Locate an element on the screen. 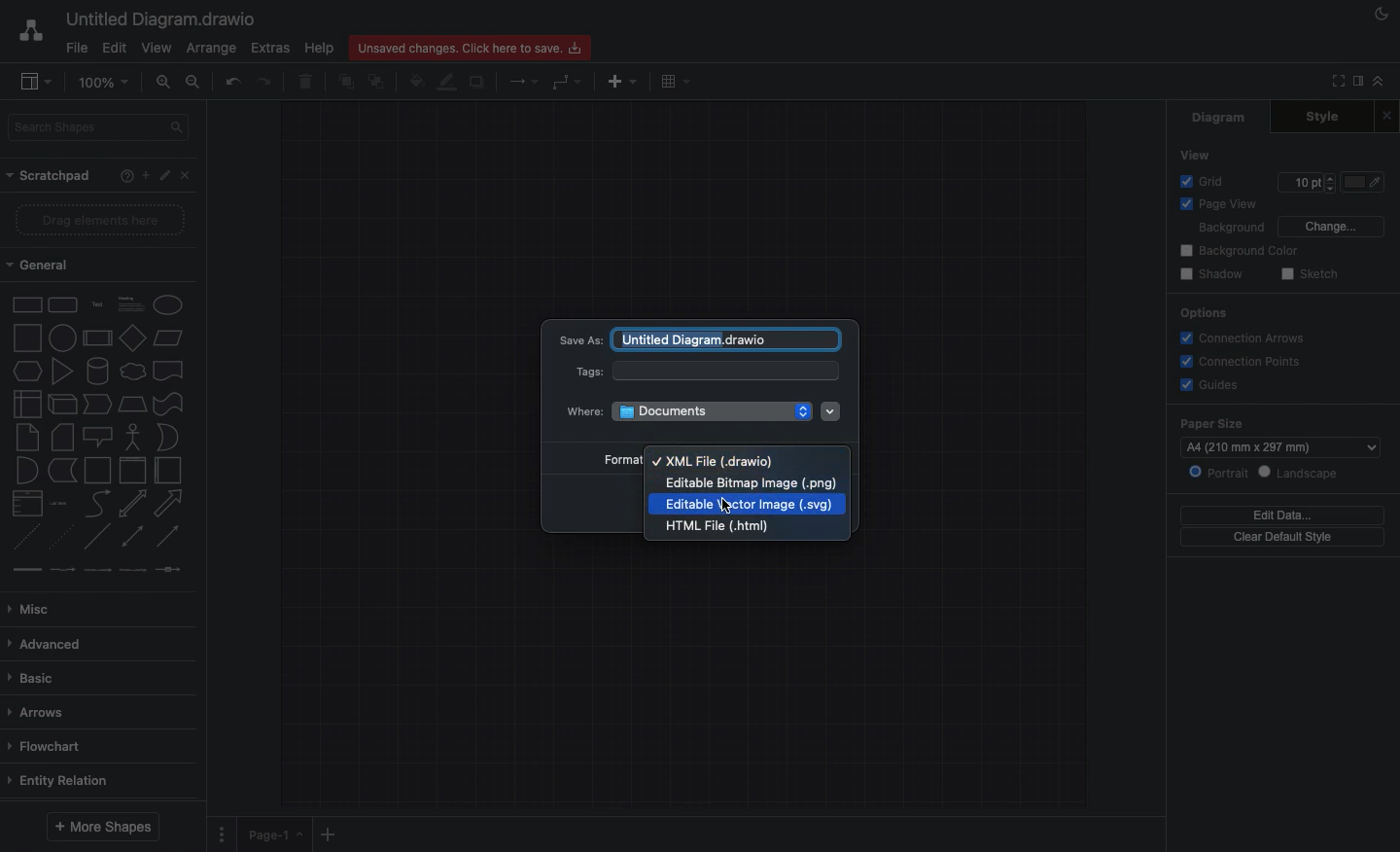 The width and height of the screenshot is (1400, 852). Cursor is located at coordinates (724, 508).